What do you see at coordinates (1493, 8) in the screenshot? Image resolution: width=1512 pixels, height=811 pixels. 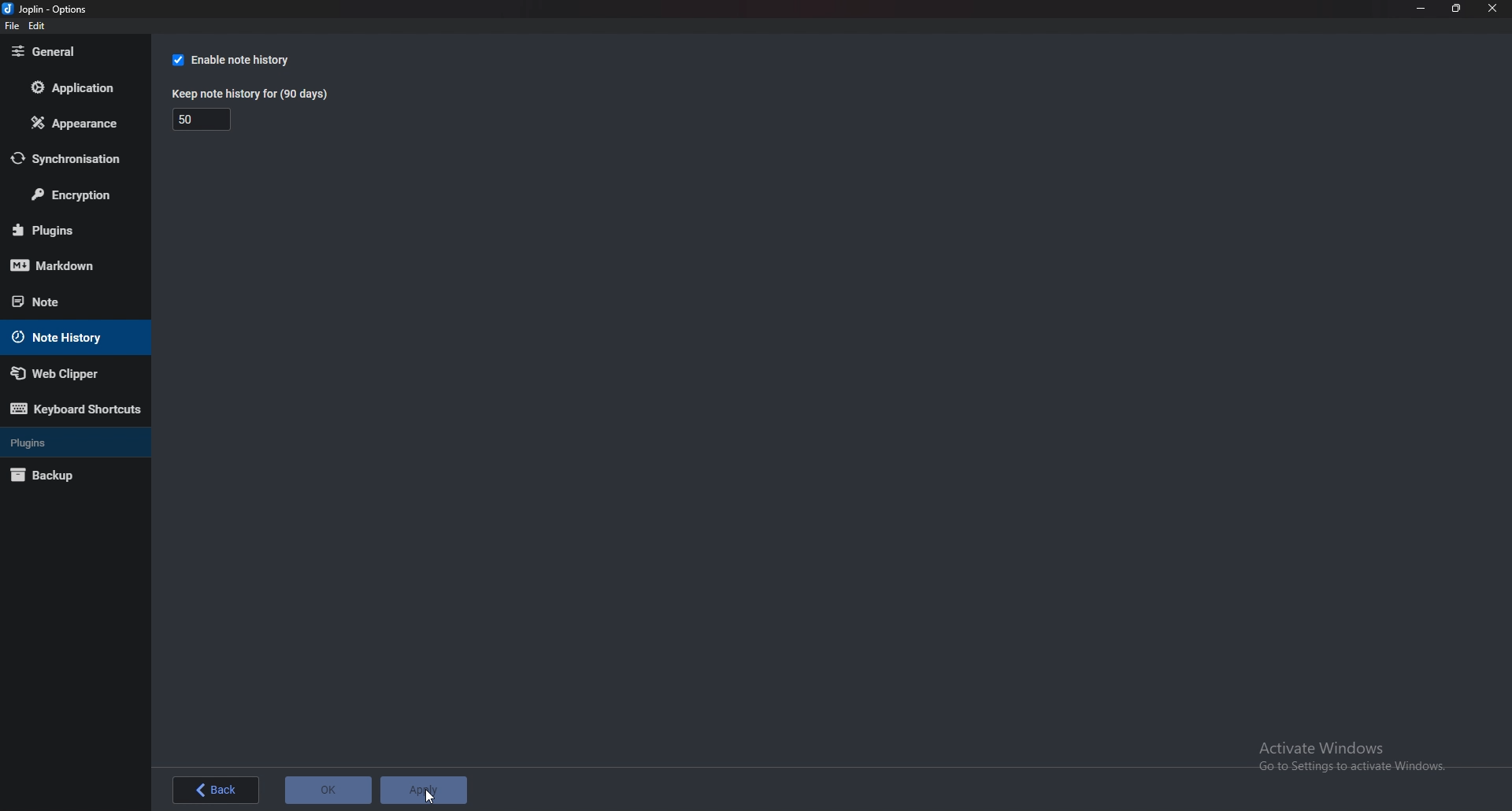 I see `close` at bounding box center [1493, 8].